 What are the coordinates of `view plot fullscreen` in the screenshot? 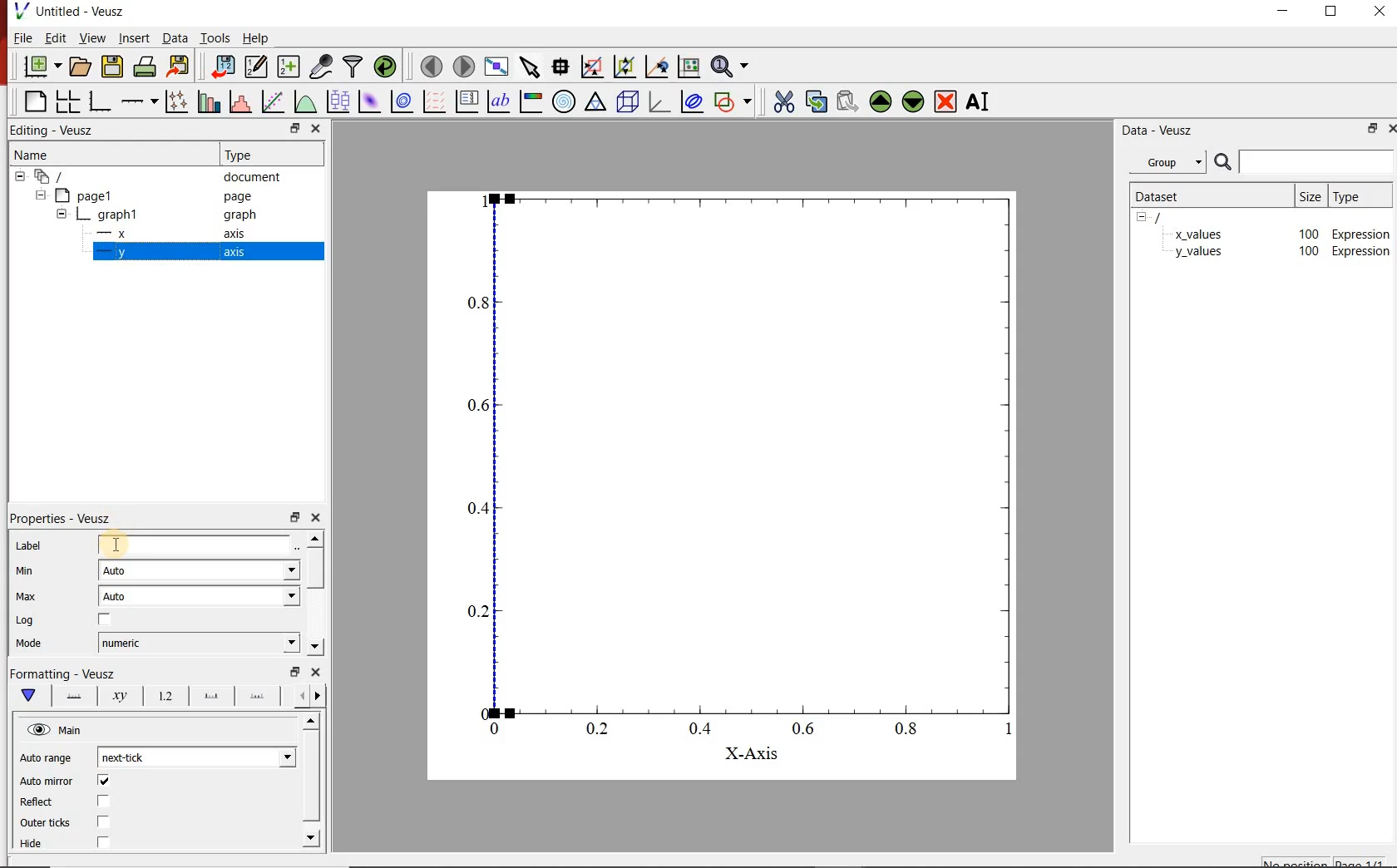 It's located at (499, 67).